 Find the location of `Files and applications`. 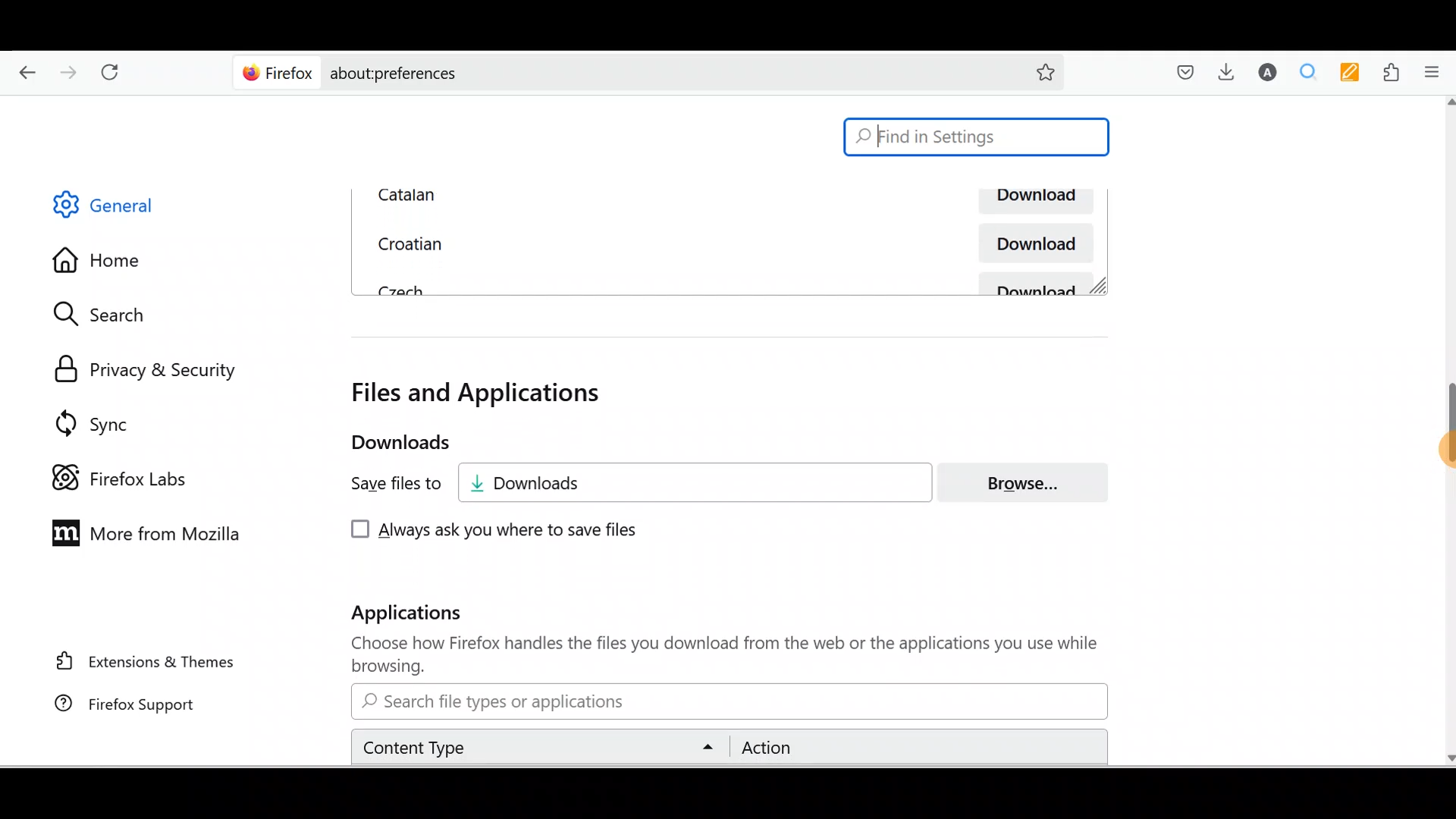

Files and applications is located at coordinates (481, 393).